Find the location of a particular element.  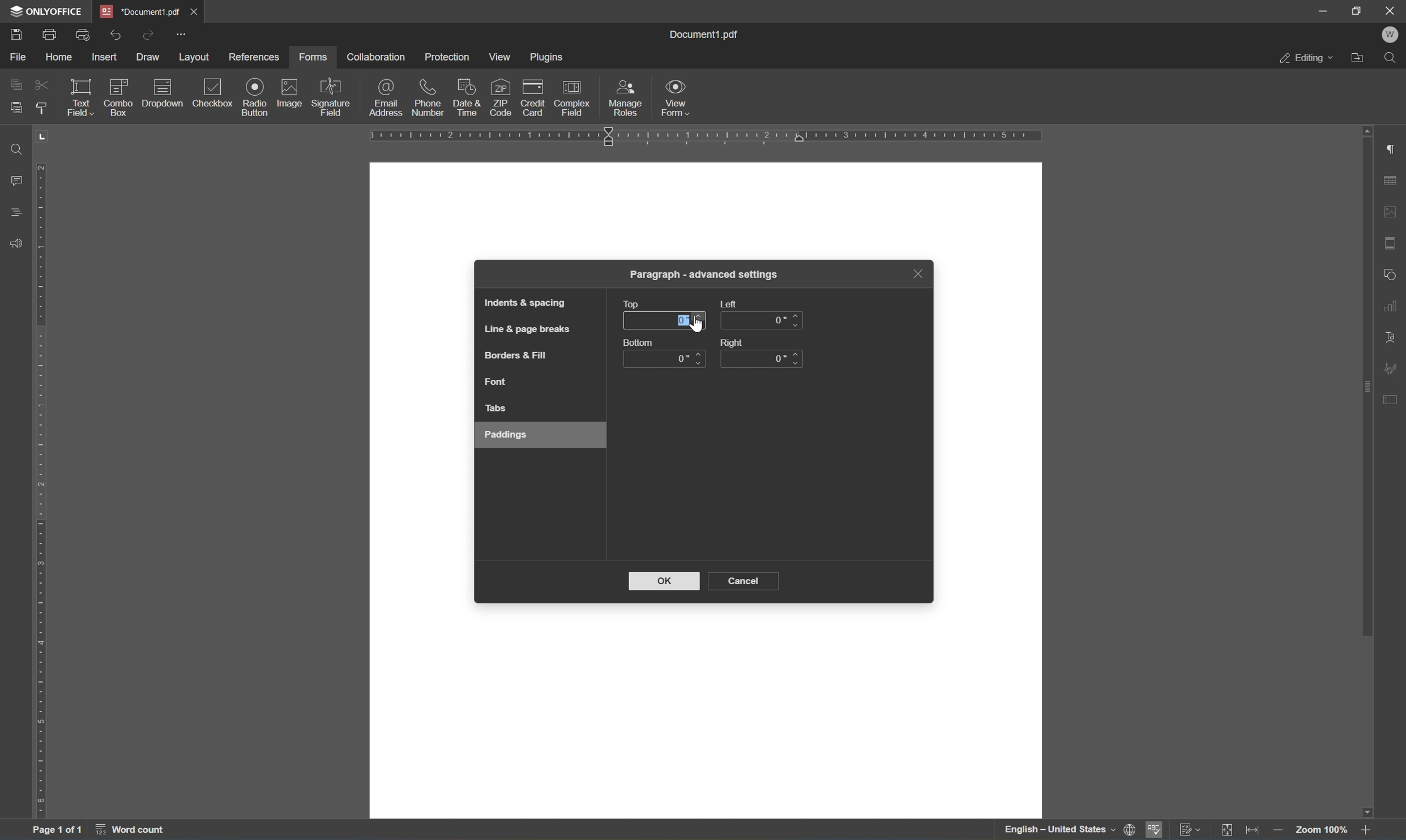

document1 is located at coordinates (142, 12).